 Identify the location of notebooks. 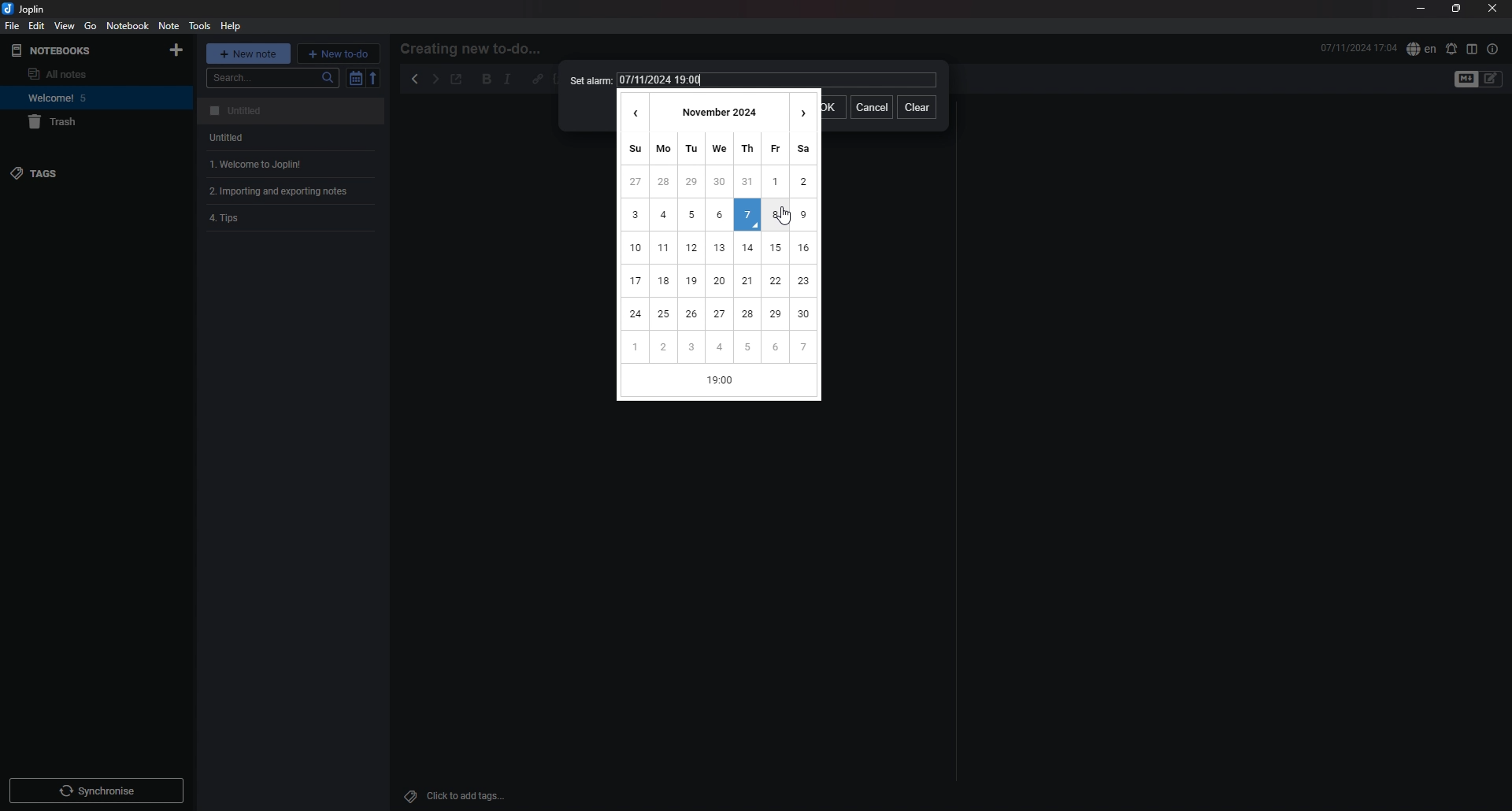
(66, 50).